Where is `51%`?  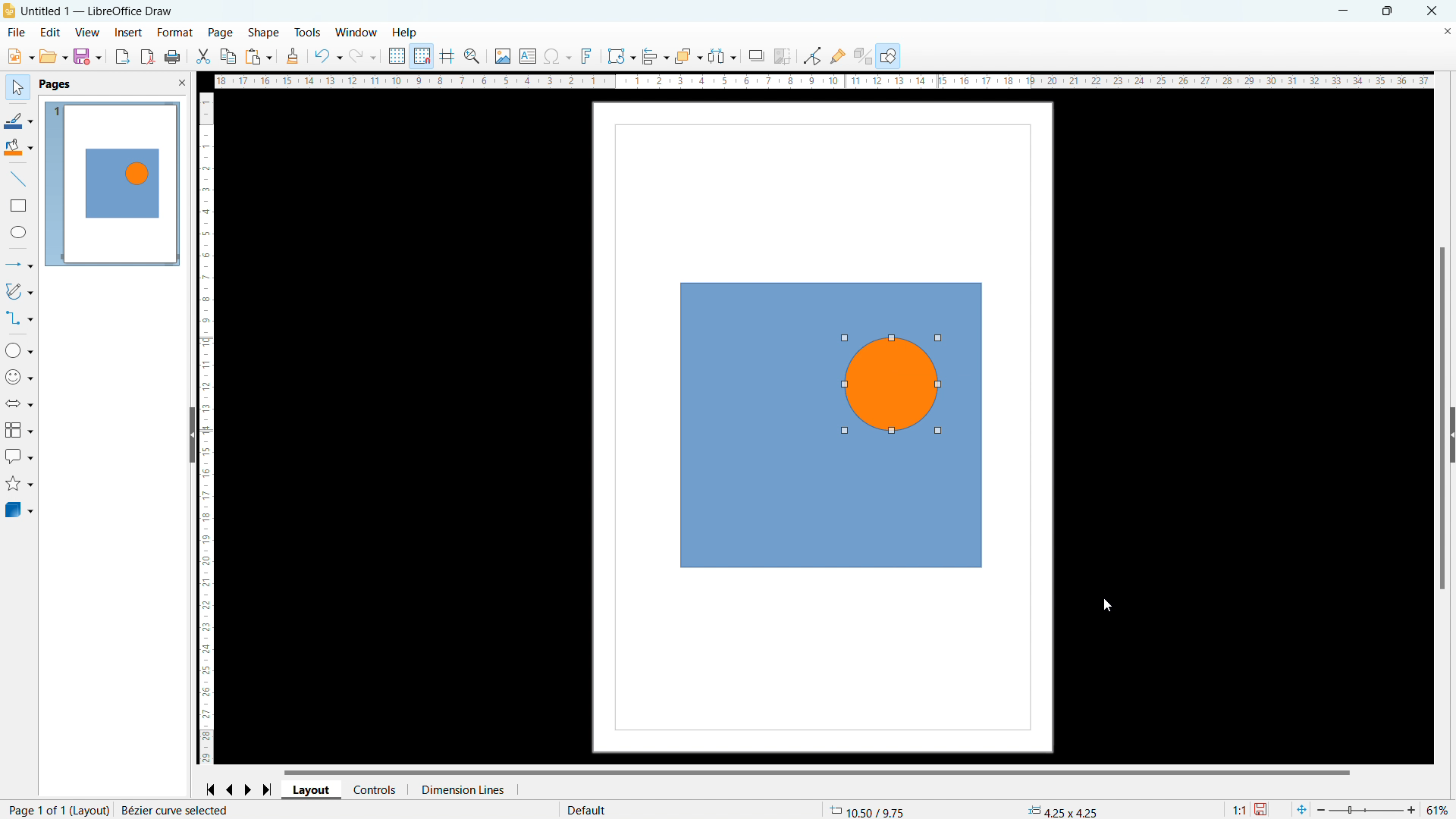
51% is located at coordinates (1437, 808).